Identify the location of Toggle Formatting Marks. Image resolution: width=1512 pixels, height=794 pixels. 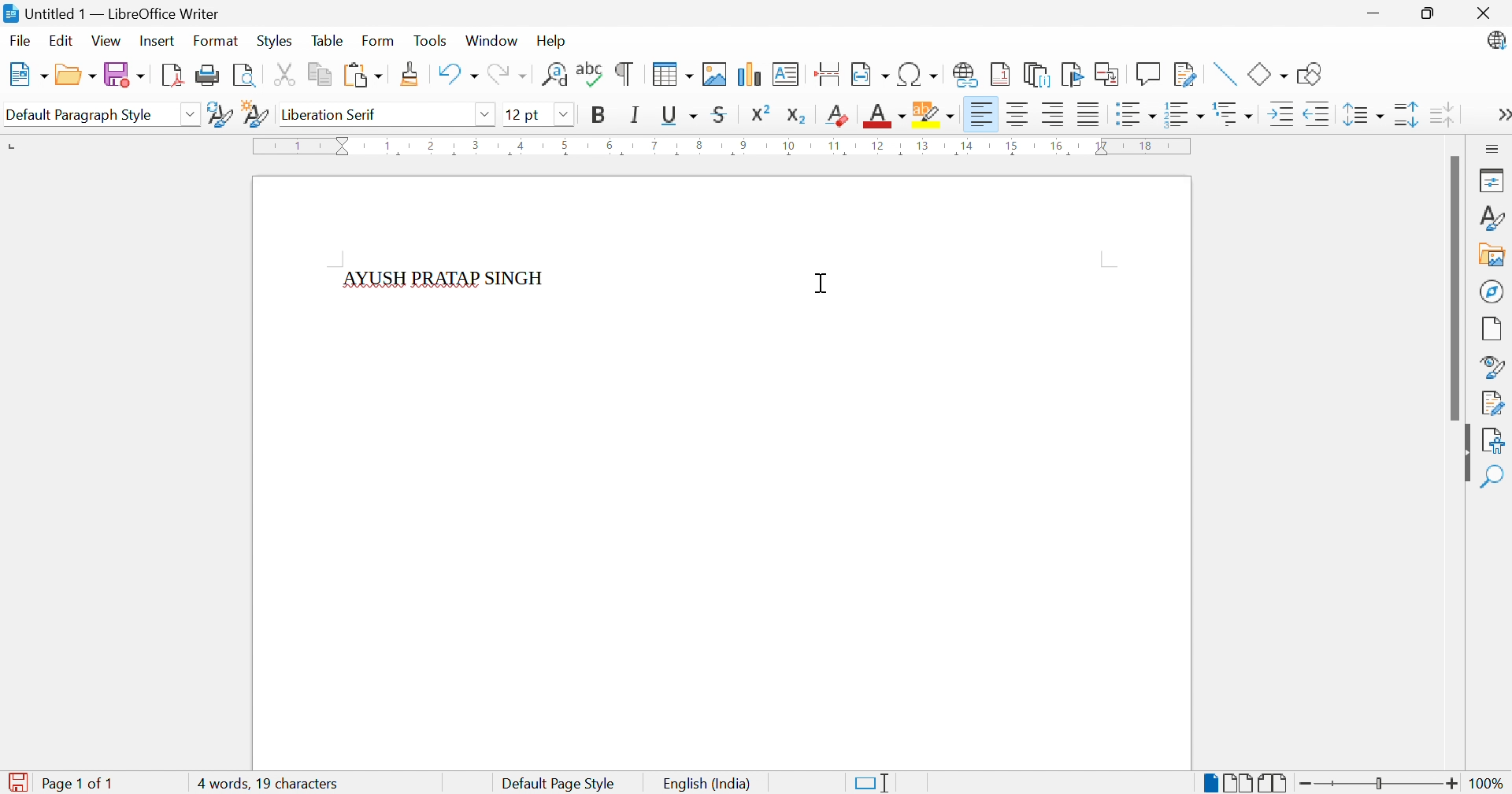
(625, 76).